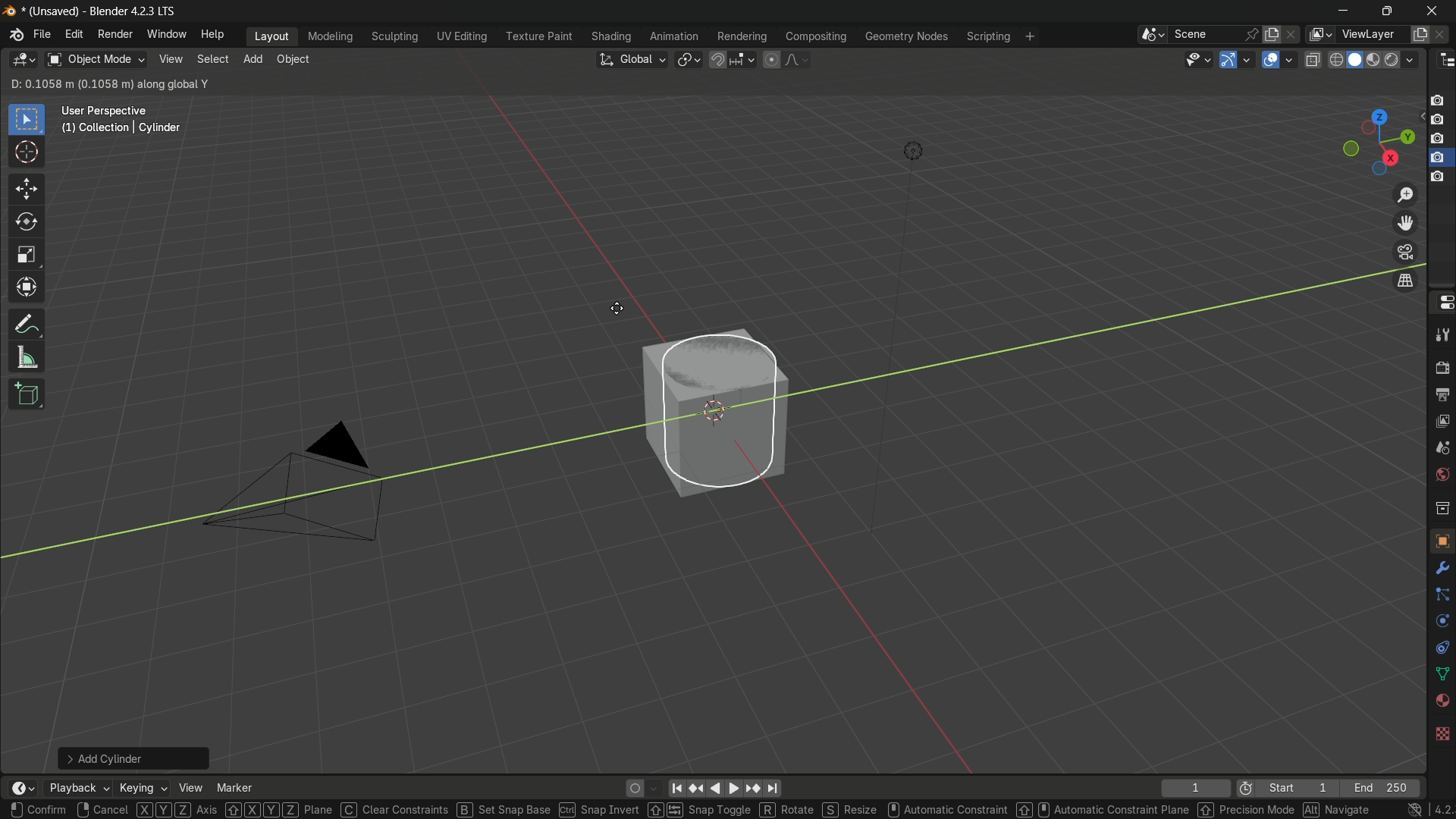  I want to click on close app, so click(1432, 11).